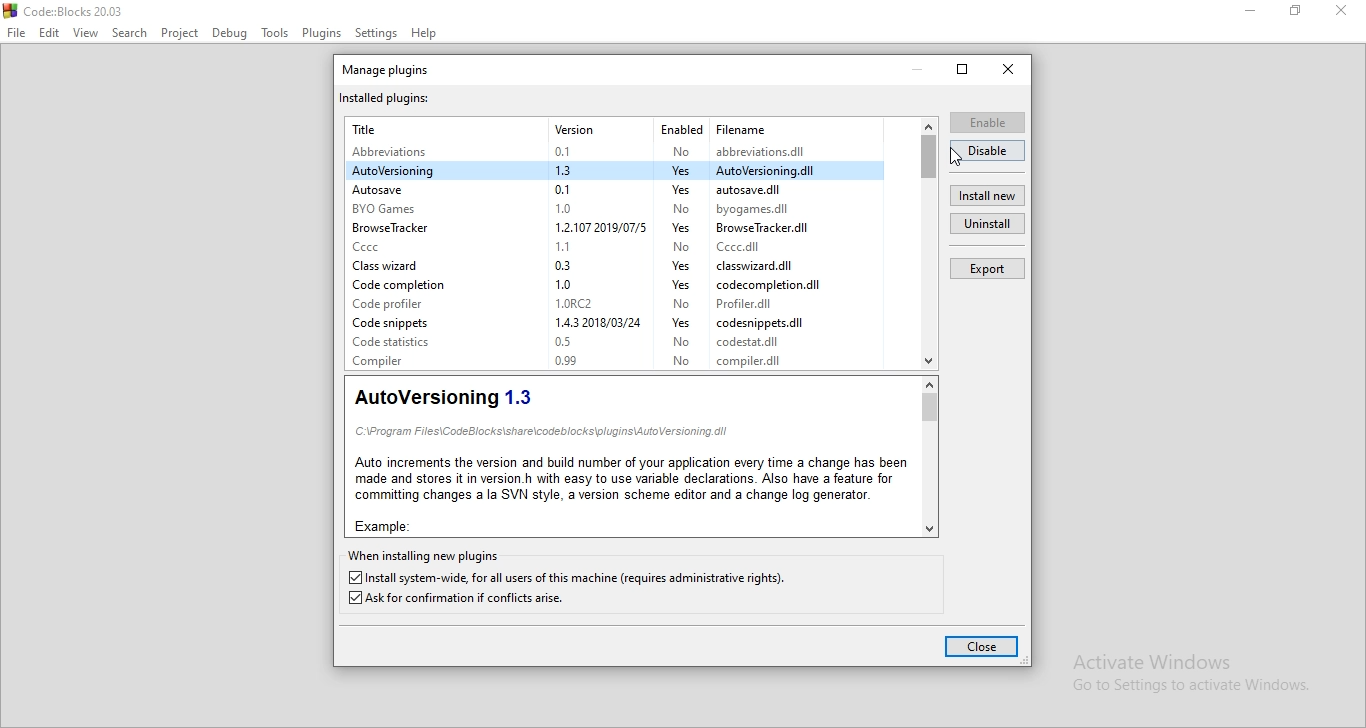 The height and width of the screenshot is (728, 1366). Describe the element at coordinates (678, 268) in the screenshot. I see `yes` at that location.